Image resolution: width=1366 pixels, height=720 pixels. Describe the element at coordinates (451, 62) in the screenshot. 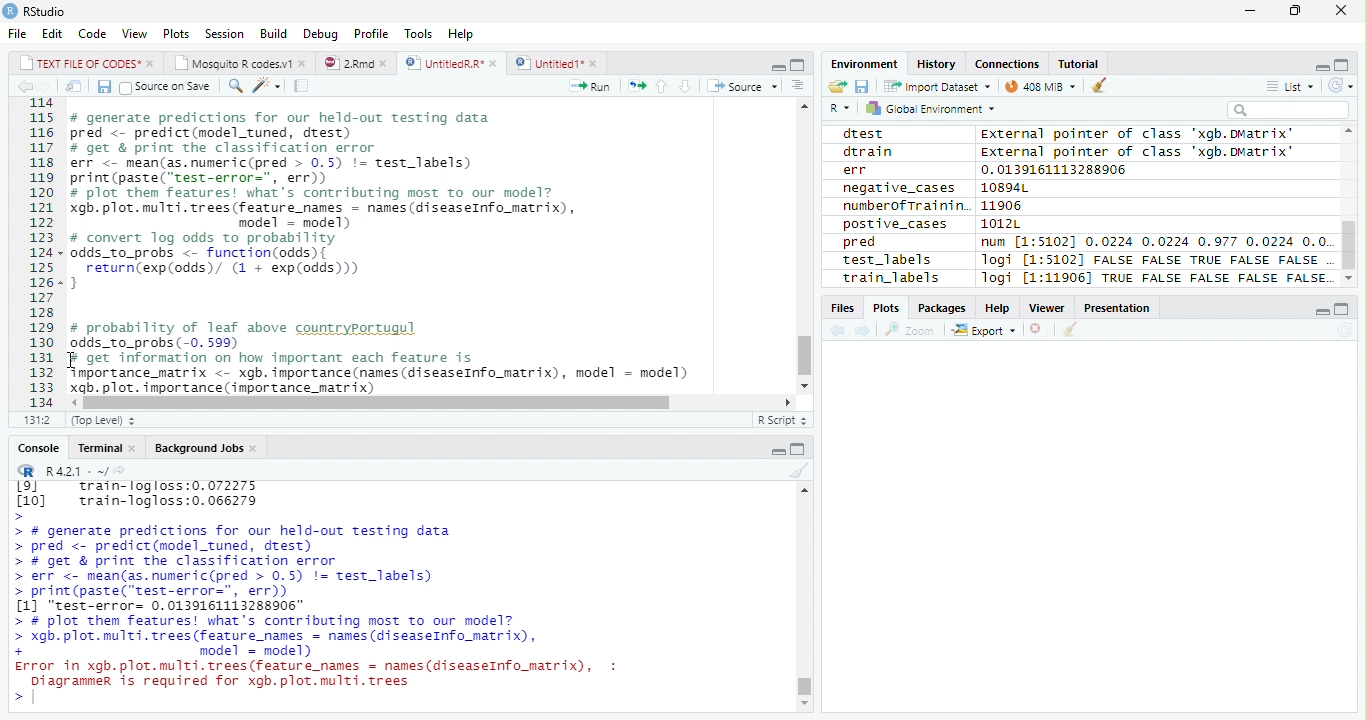

I see `UntitiedR.R* ` at that location.